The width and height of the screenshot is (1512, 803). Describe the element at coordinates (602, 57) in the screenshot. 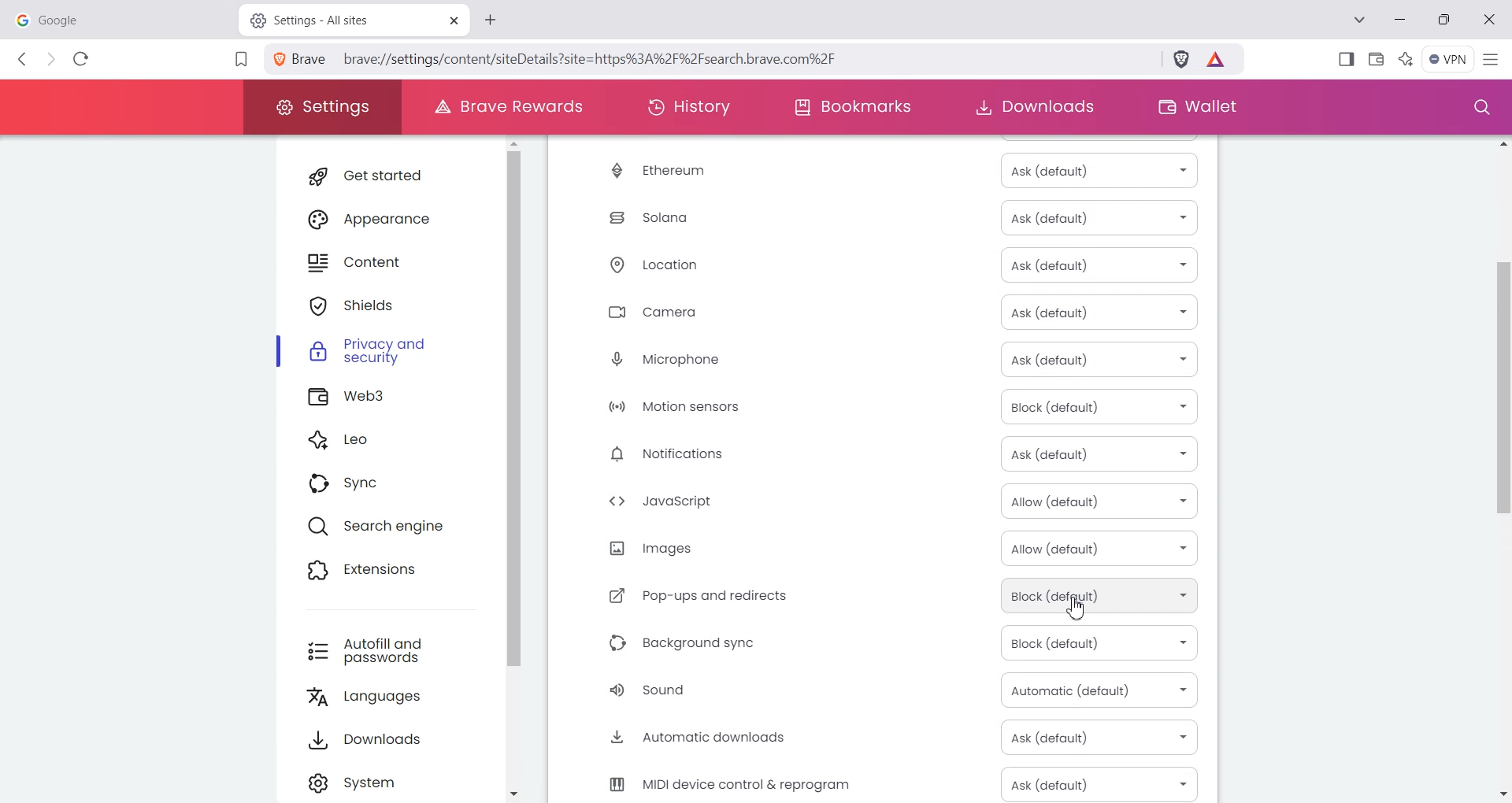

I see `brave://settings/content/sitedetails?site` at that location.